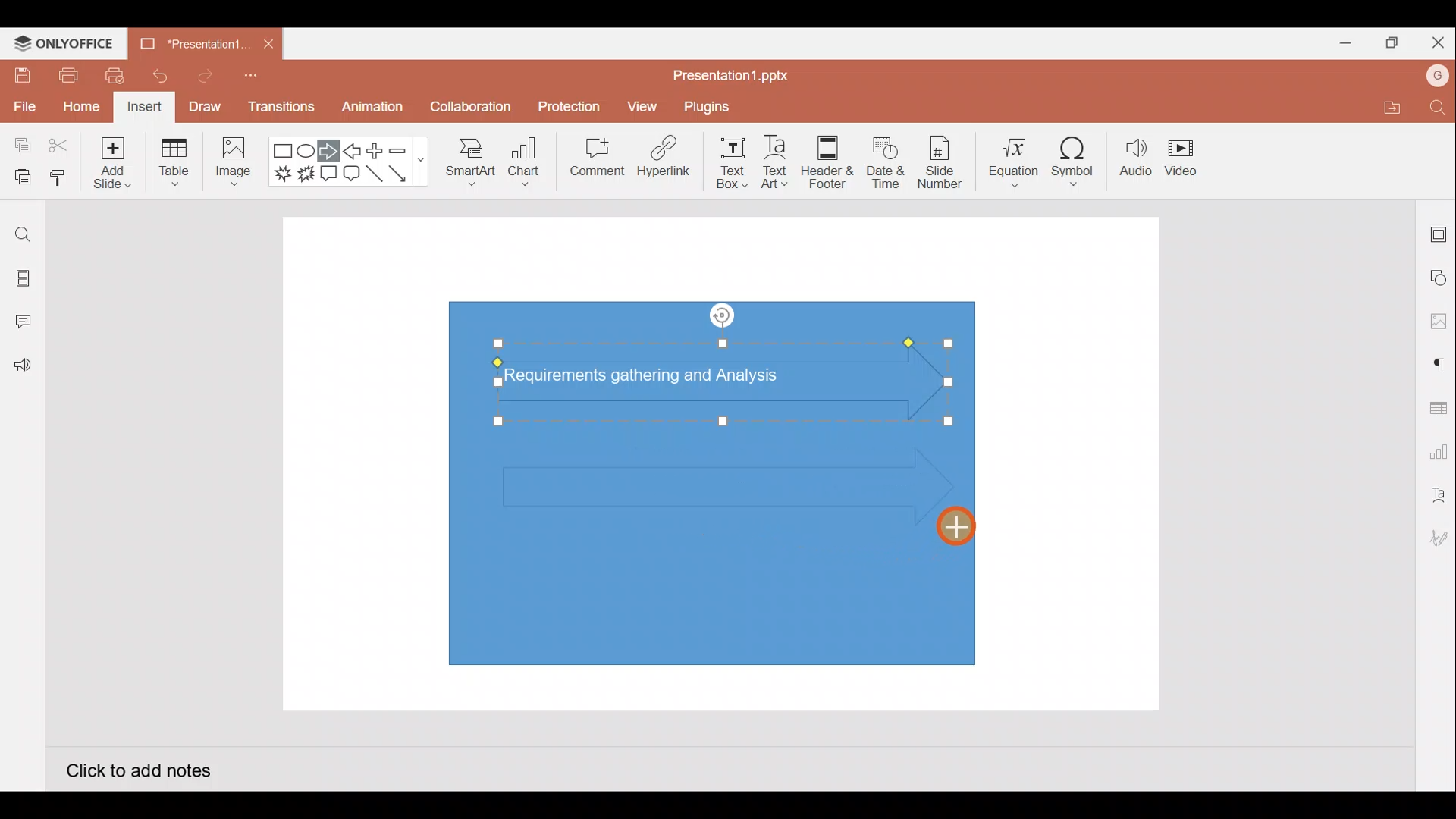 The image size is (1456, 819). Describe the element at coordinates (81, 108) in the screenshot. I see `Home` at that location.